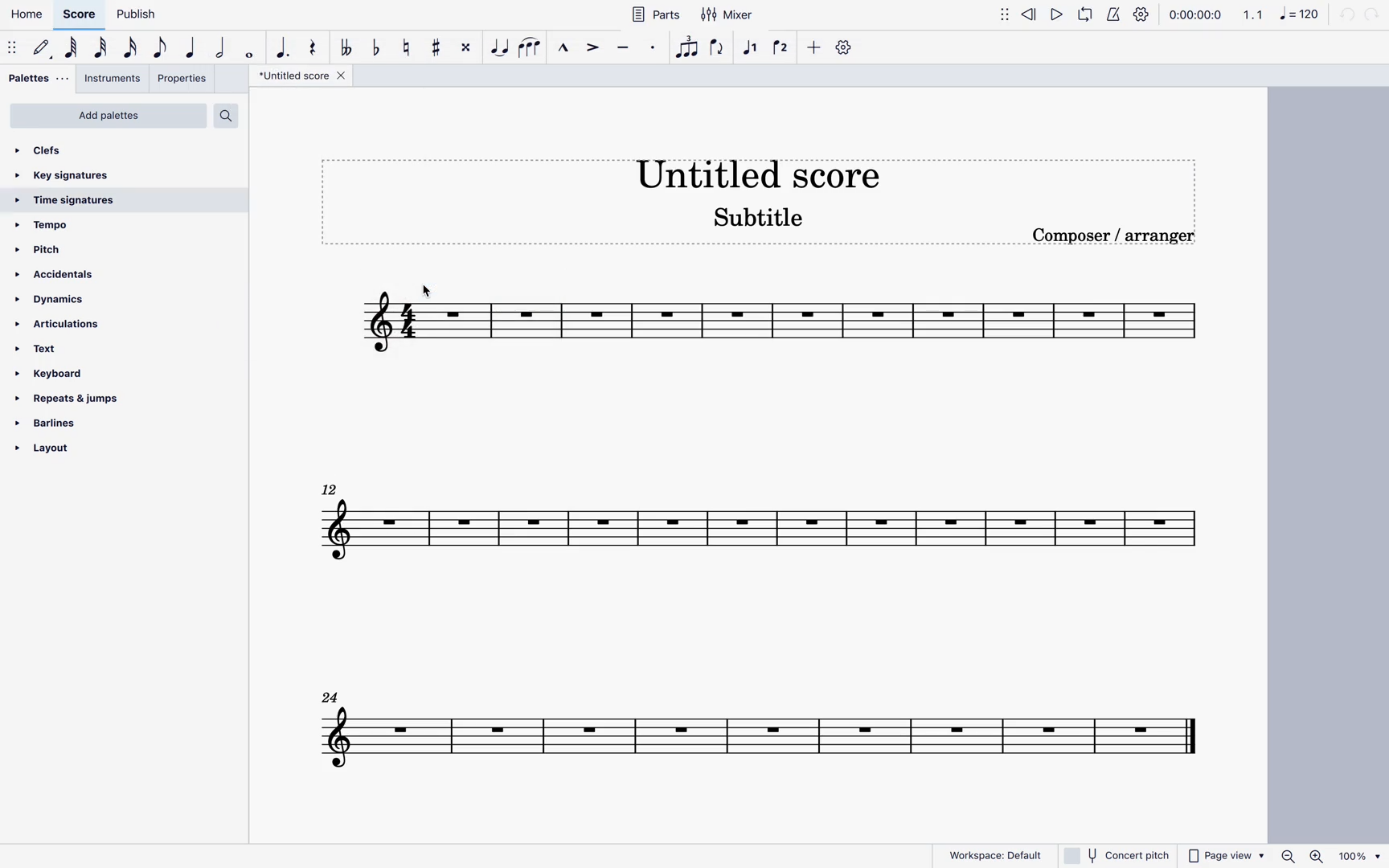 This screenshot has width=1389, height=868. What do you see at coordinates (49, 226) in the screenshot?
I see `tempo` at bounding box center [49, 226].